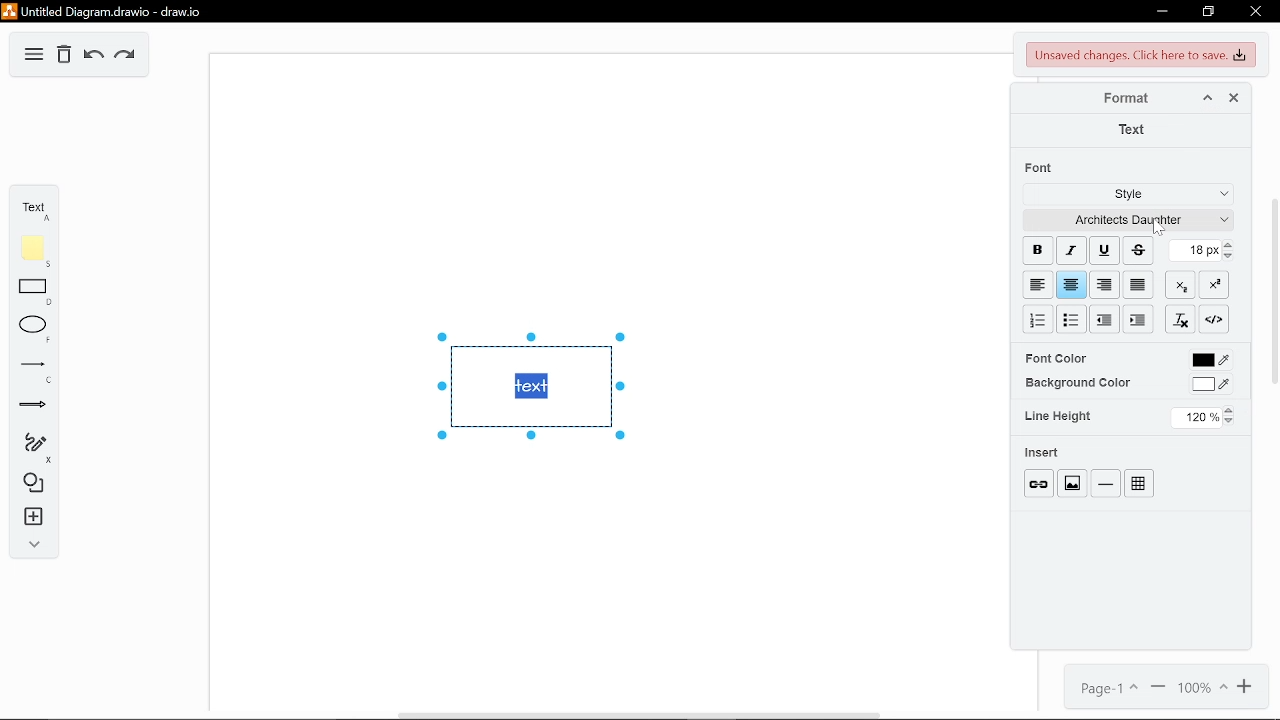  What do you see at coordinates (1105, 319) in the screenshot?
I see `increase indent` at bounding box center [1105, 319].